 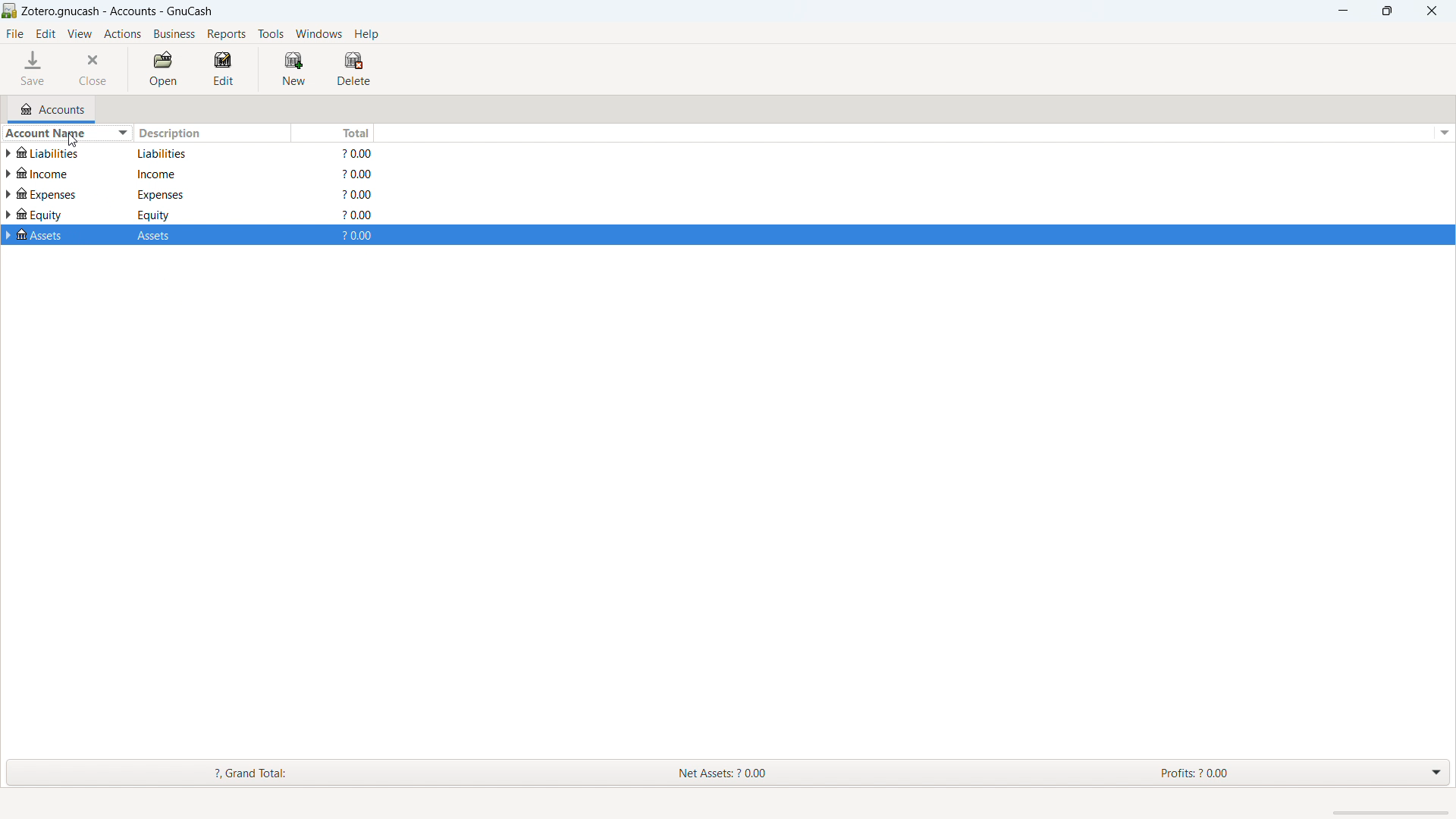 I want to click on expand subaccounts, so click(x=9, y=173).